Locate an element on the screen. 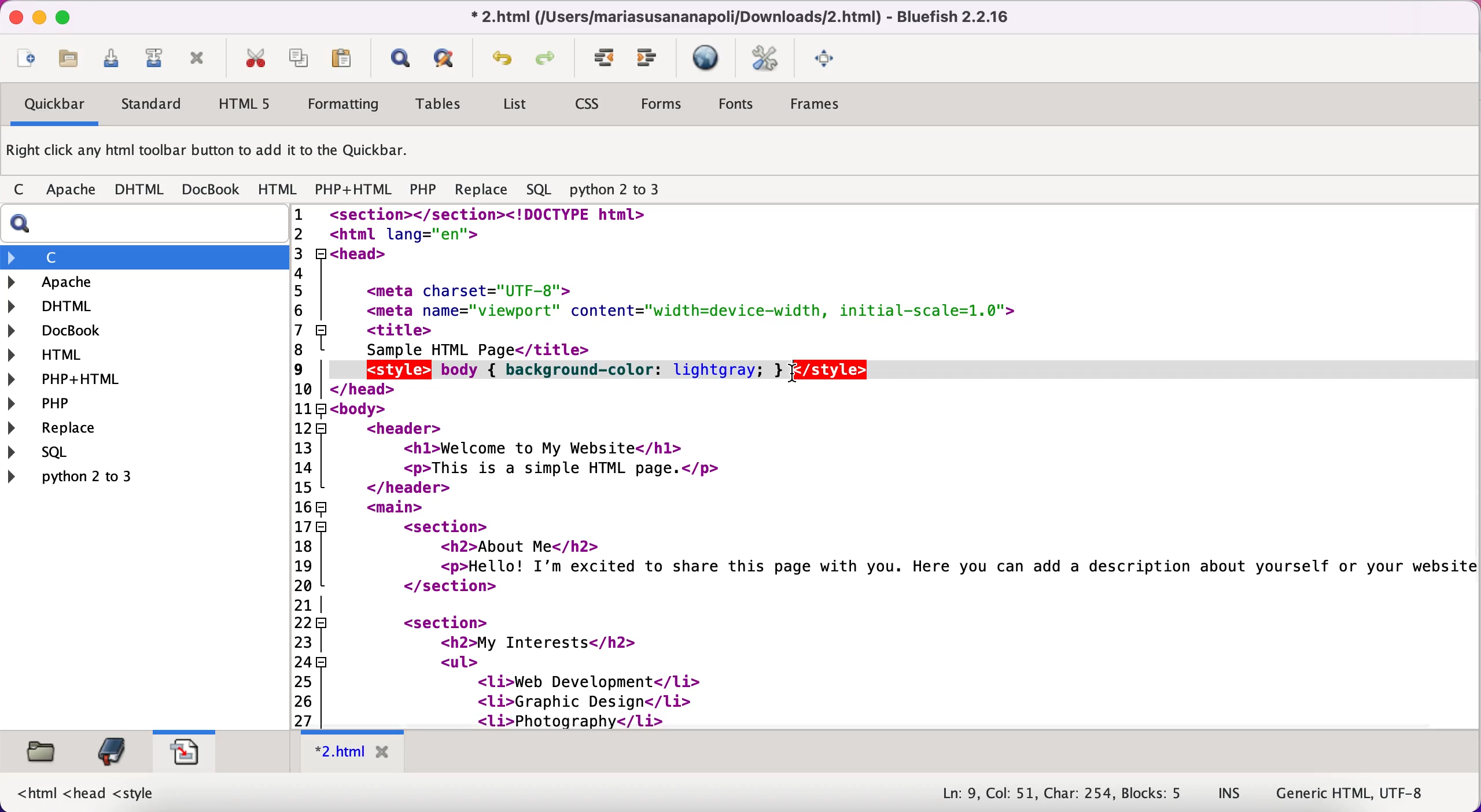  save current file is located at coordinates (116, 62).